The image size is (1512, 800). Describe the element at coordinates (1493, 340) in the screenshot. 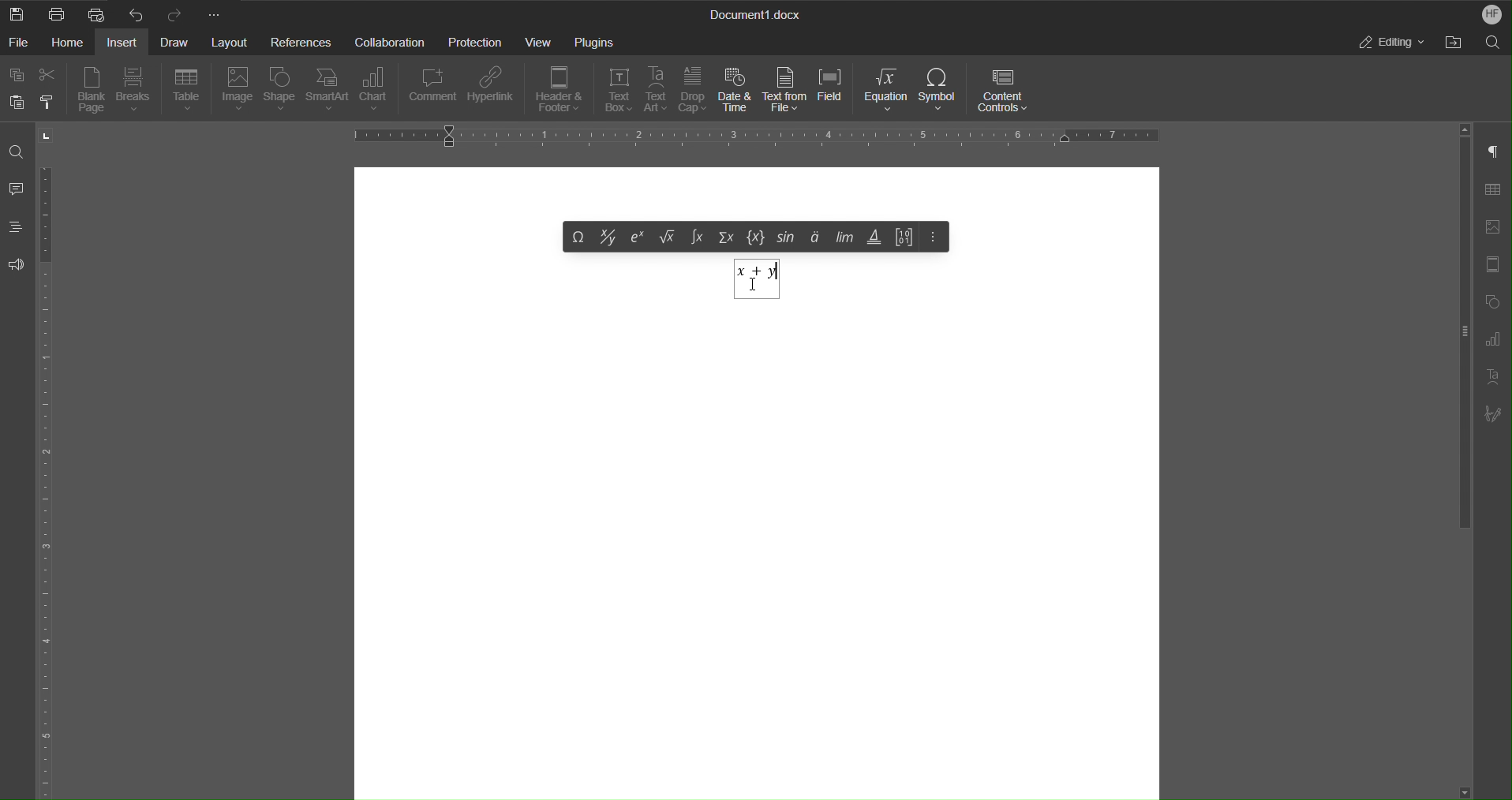

I see `Graph` at that location.